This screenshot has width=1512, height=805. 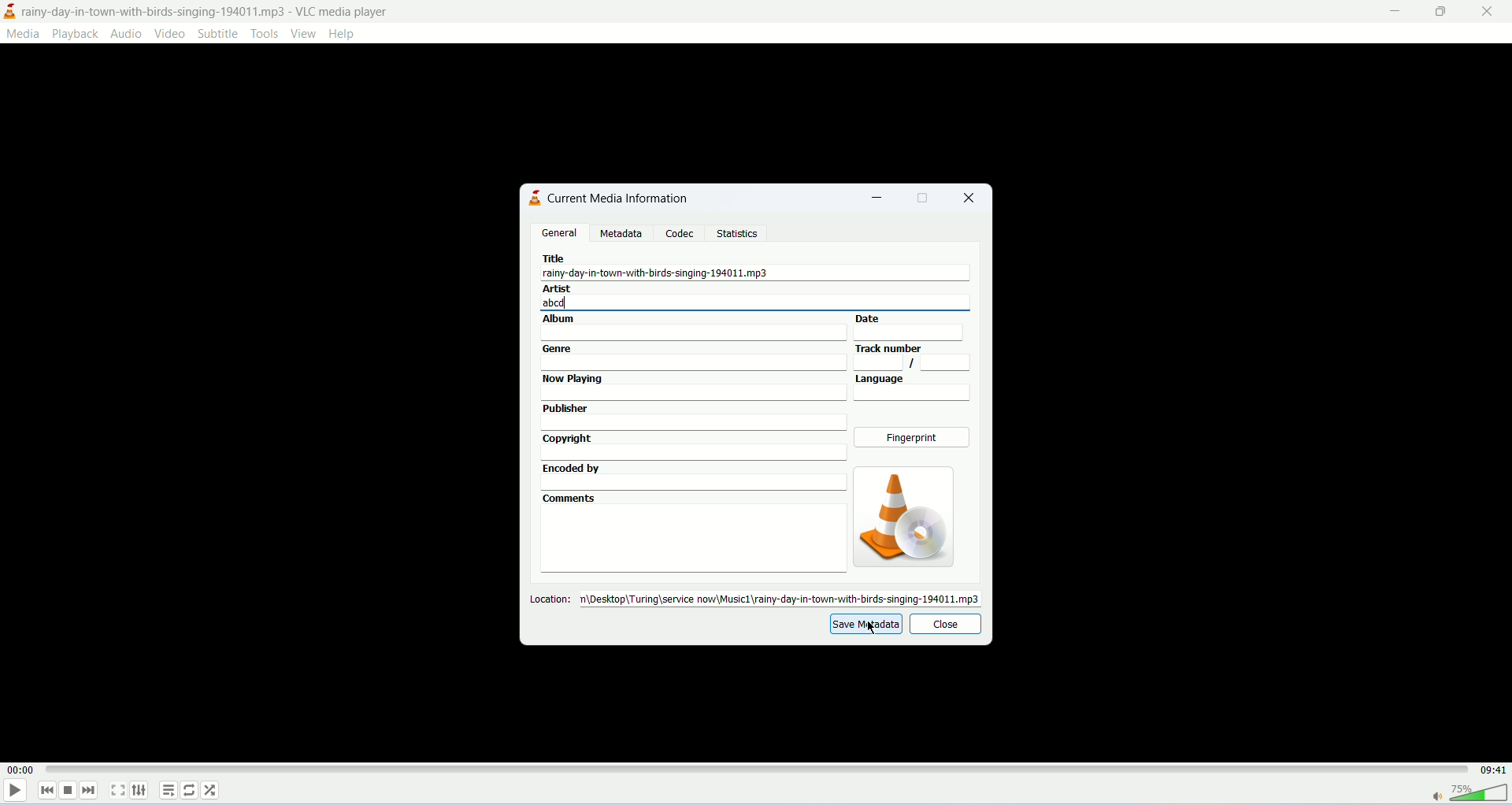 I want to click on stop, so click(x=69, y=788).